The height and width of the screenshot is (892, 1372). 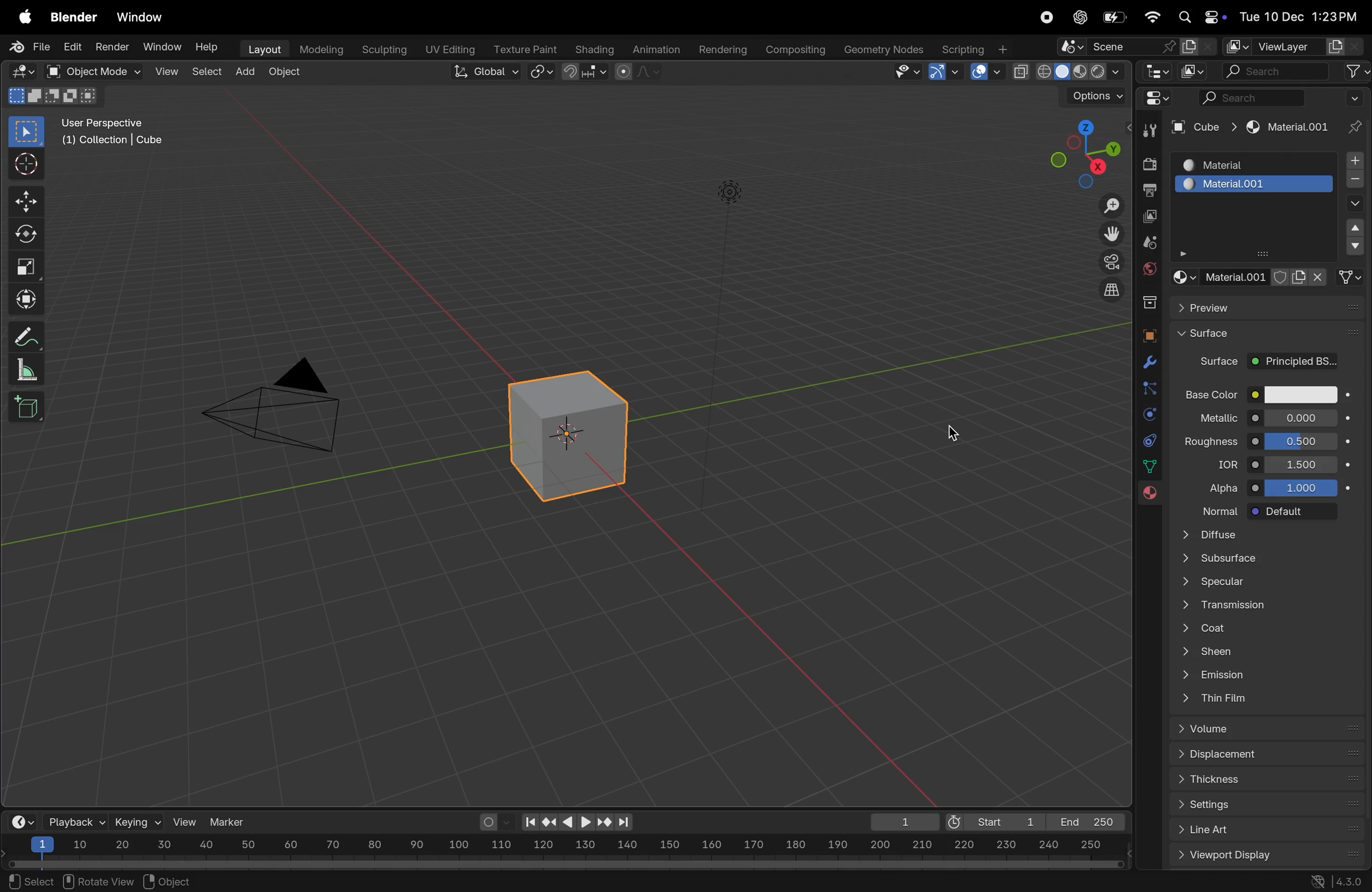 I want to click on camera, so click(x=1109, y=262).